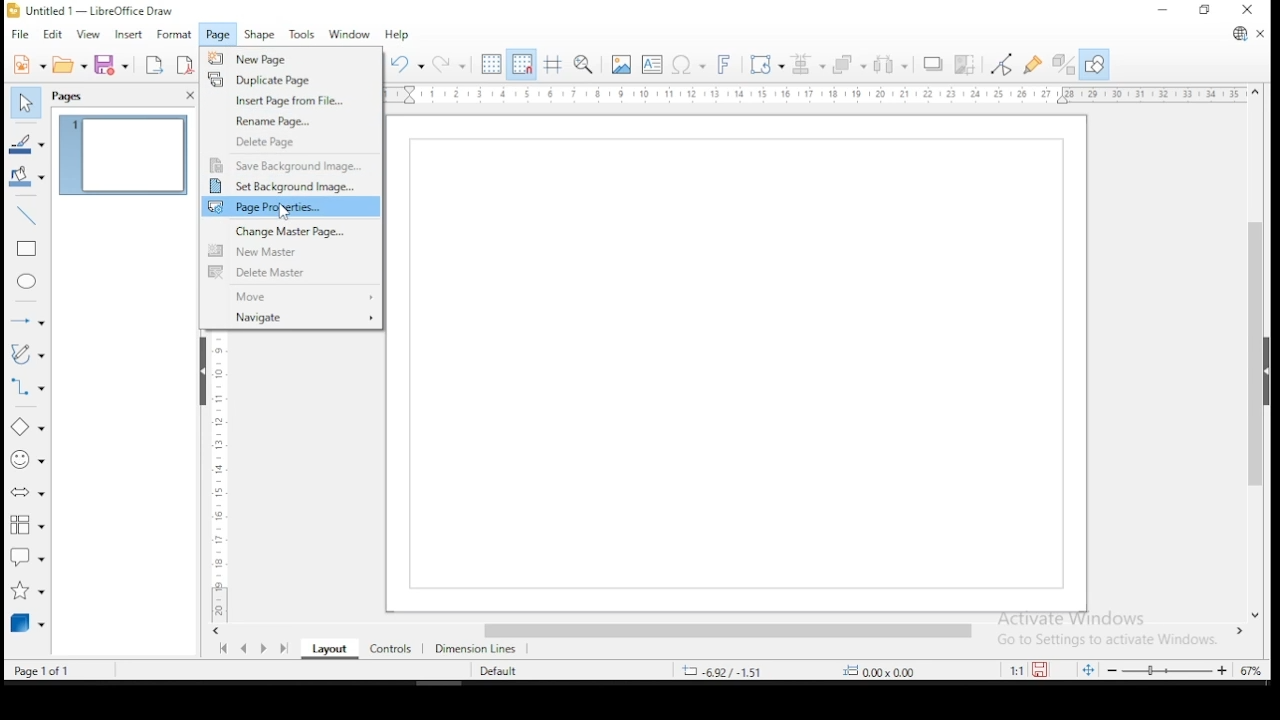 Image resolution: width=1280 pixels, height=720 pixels. What do you see at coordinates (396, 36) in the screenshot?
I see `help` at bounding box center [396, 36].